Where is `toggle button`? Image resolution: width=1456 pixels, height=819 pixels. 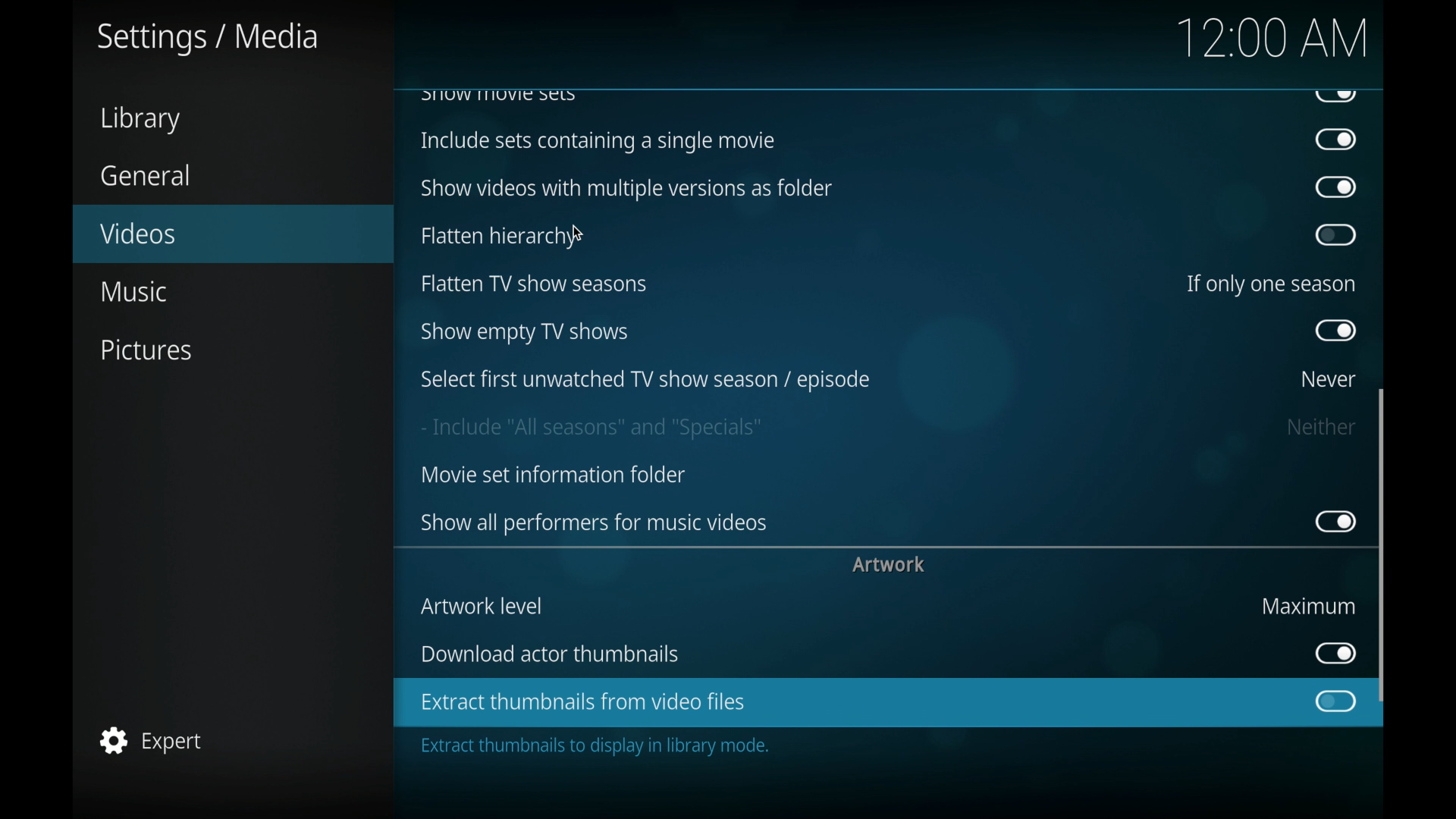 toggle button is located at coordinates (1335, 654).